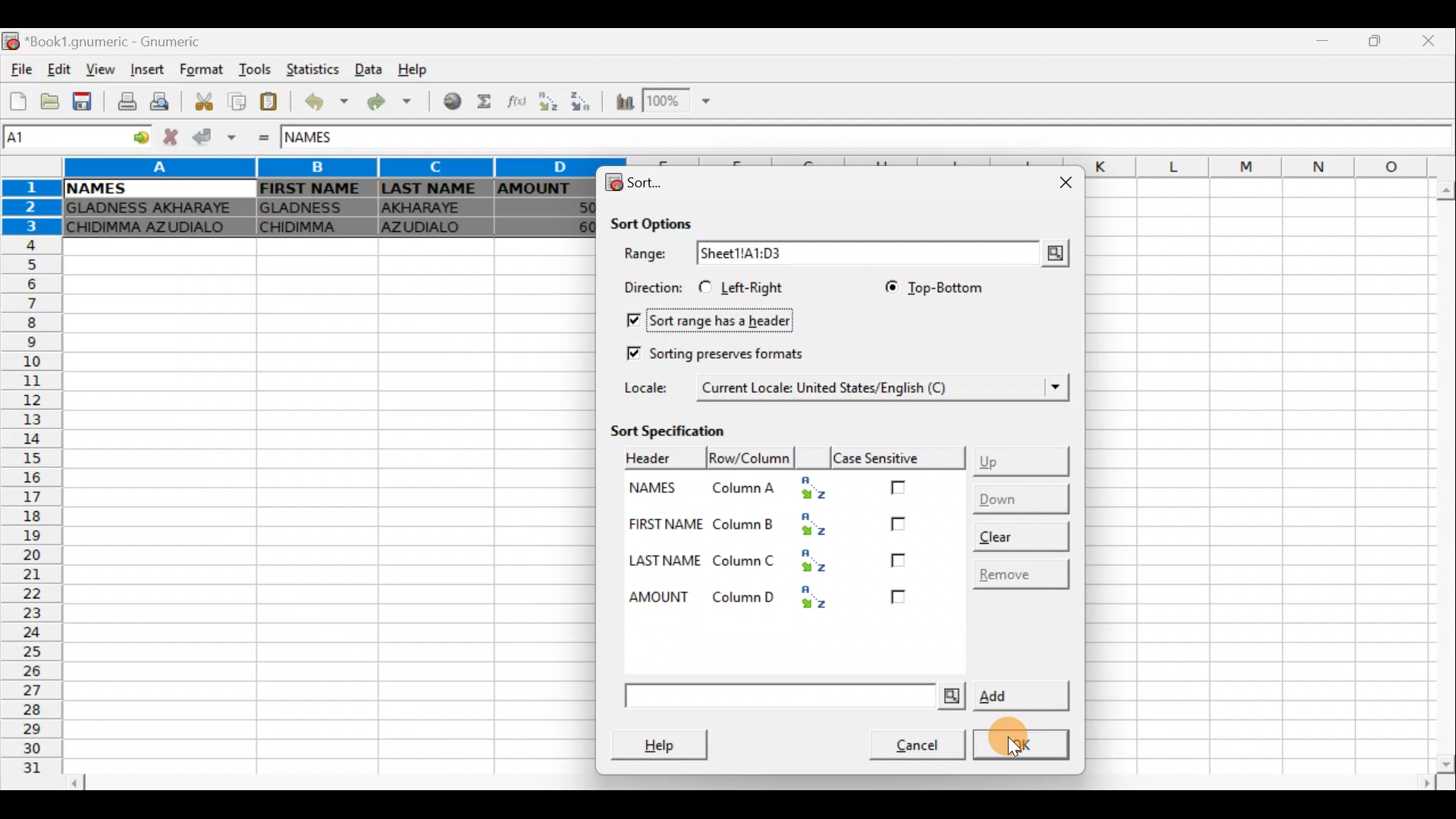 This screenshot has height=819, width=1456. Describe the element at coordinates (154, 209) in the screenshot. I see `GLADNESS AKHARAYE` at that location.